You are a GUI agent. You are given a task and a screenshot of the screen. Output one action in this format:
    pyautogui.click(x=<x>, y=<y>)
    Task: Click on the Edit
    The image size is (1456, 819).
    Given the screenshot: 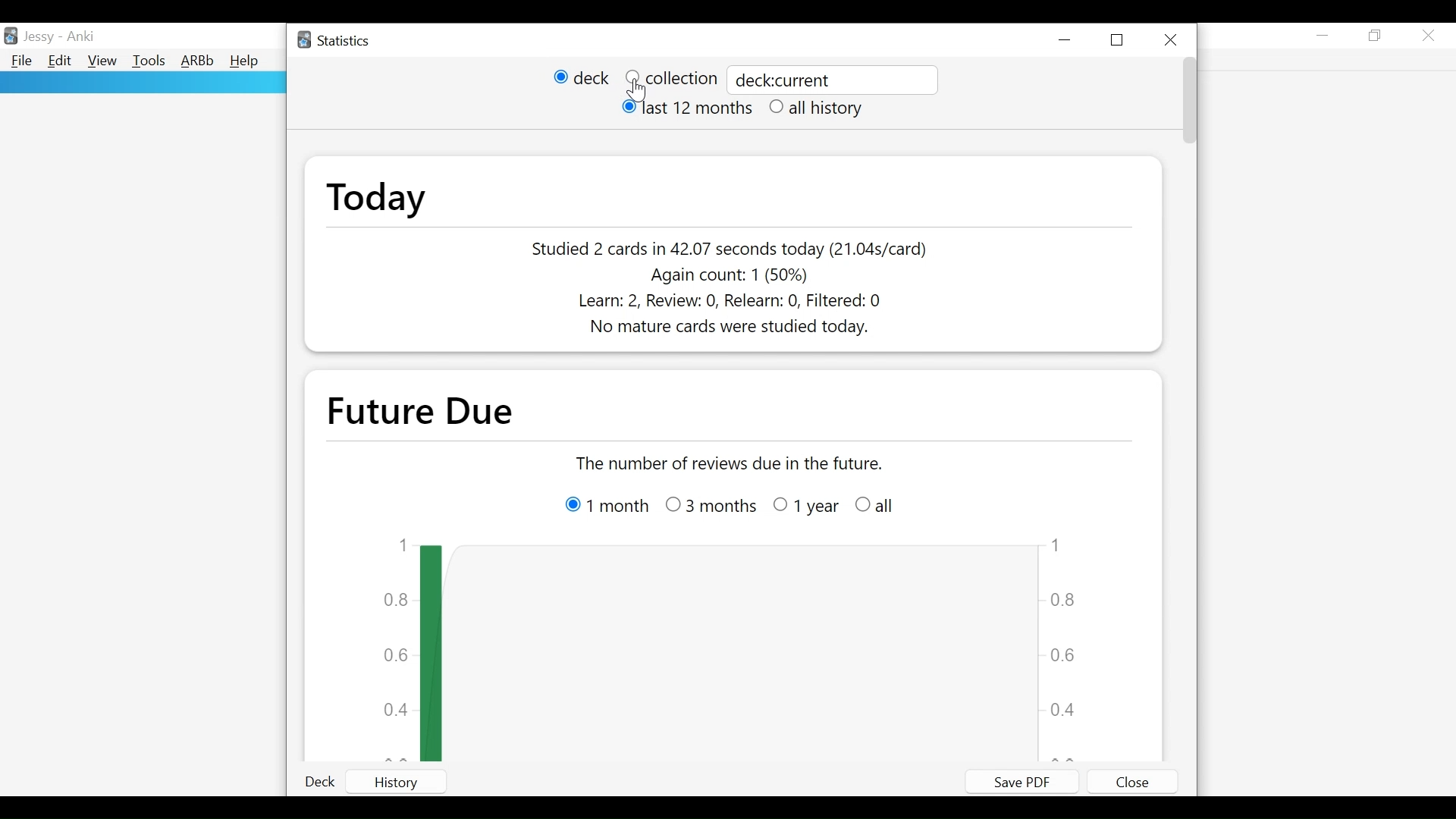 What is the action you would take?
    pyautogui.click(x=61, y=62)
    